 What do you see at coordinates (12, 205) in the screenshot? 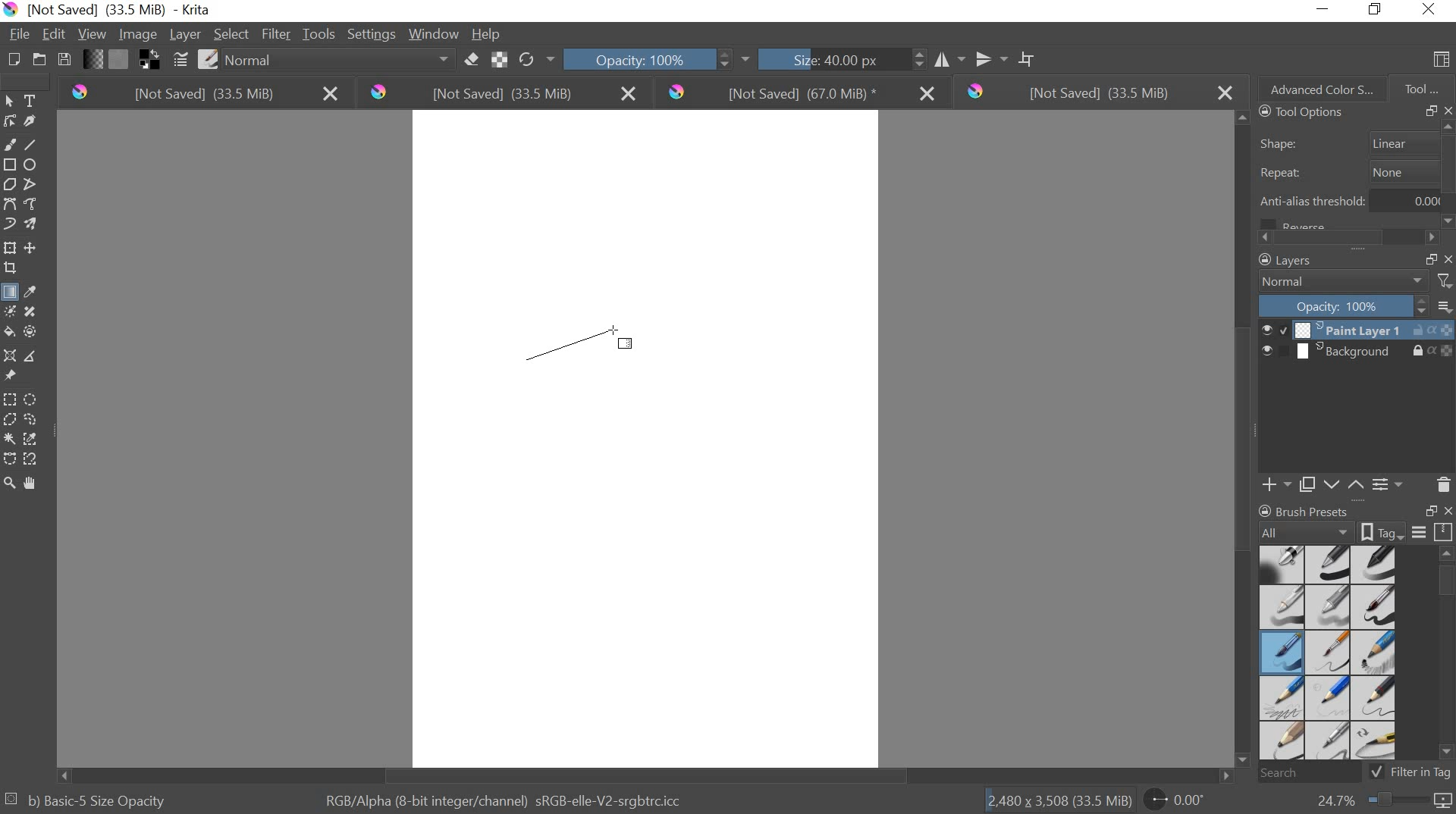
I see `bezier curve` at bounding box center [12, 205].